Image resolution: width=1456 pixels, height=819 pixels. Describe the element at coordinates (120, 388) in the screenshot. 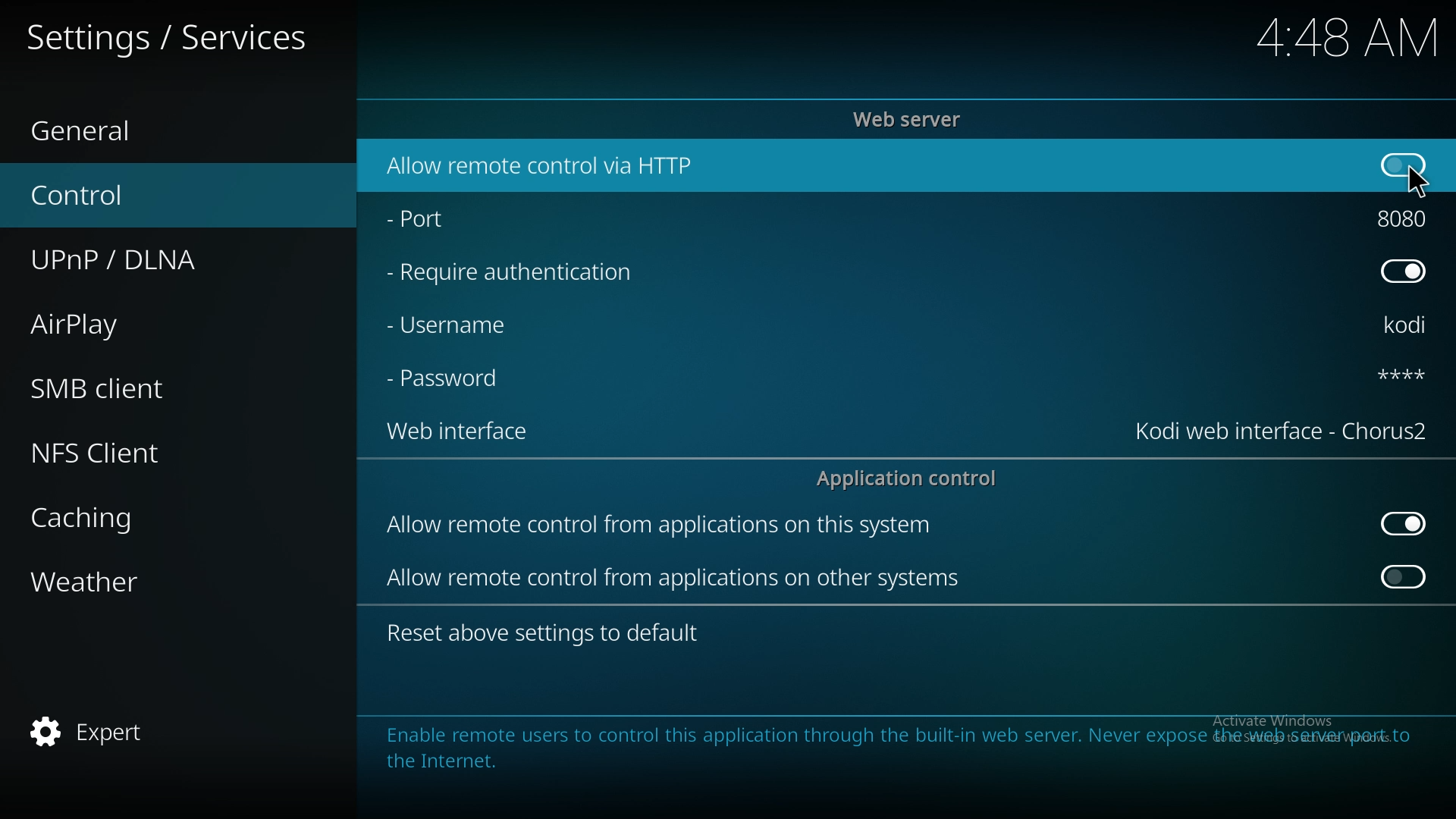

I see `smb client` at that location.